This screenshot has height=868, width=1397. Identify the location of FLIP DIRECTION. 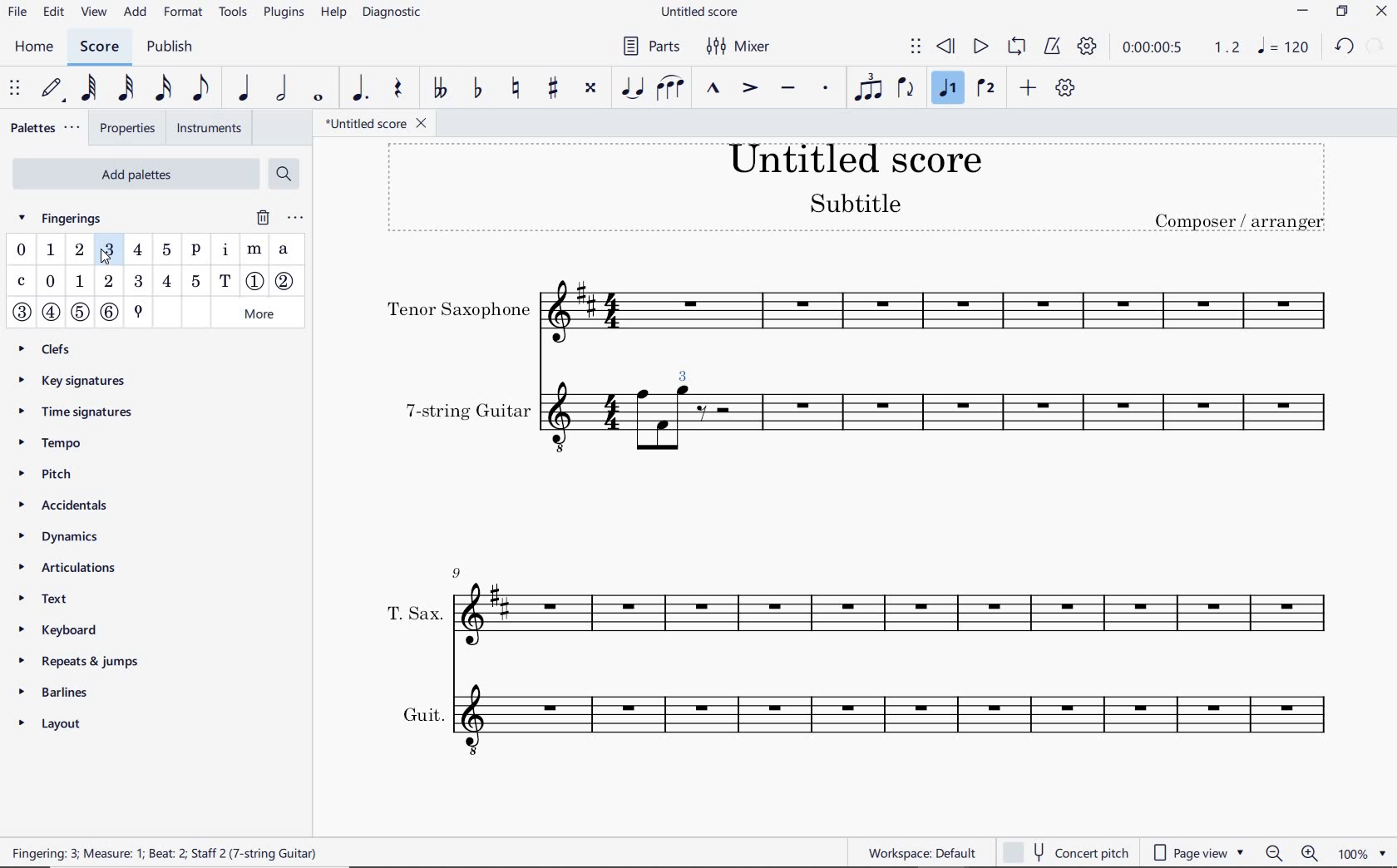
(906, 88).